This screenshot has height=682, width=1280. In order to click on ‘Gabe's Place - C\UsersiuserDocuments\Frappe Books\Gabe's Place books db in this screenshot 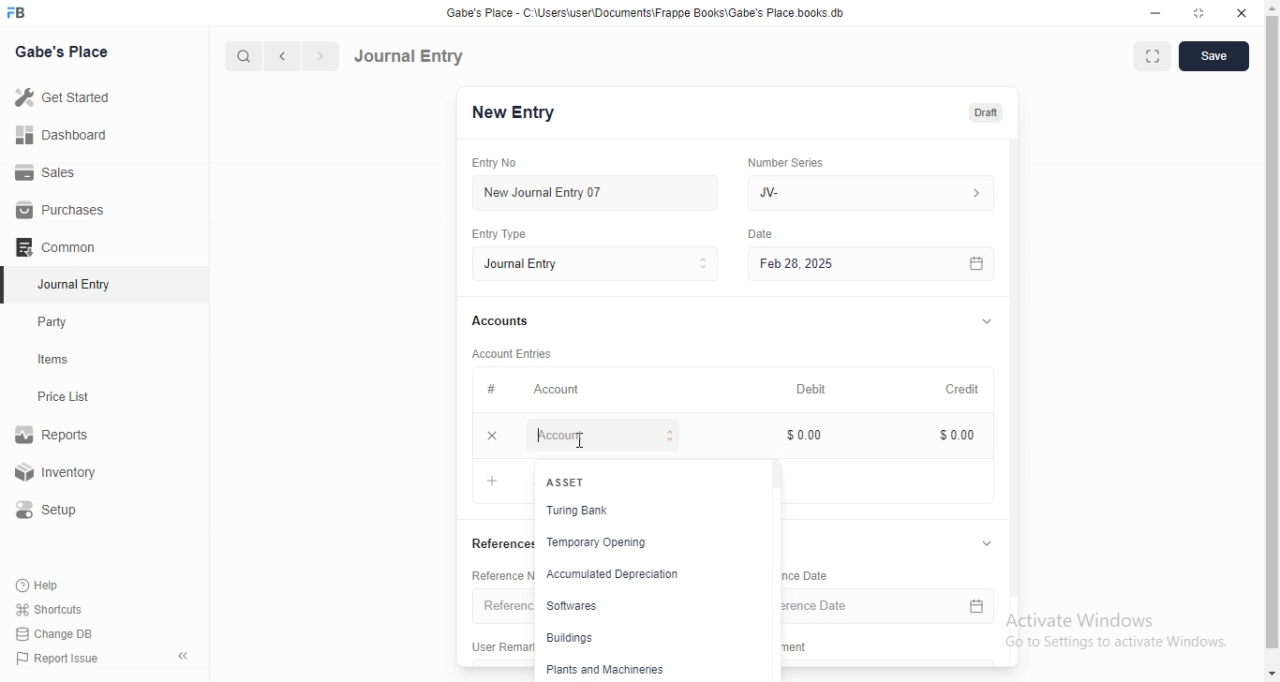, I will do `click(653, 12)`.